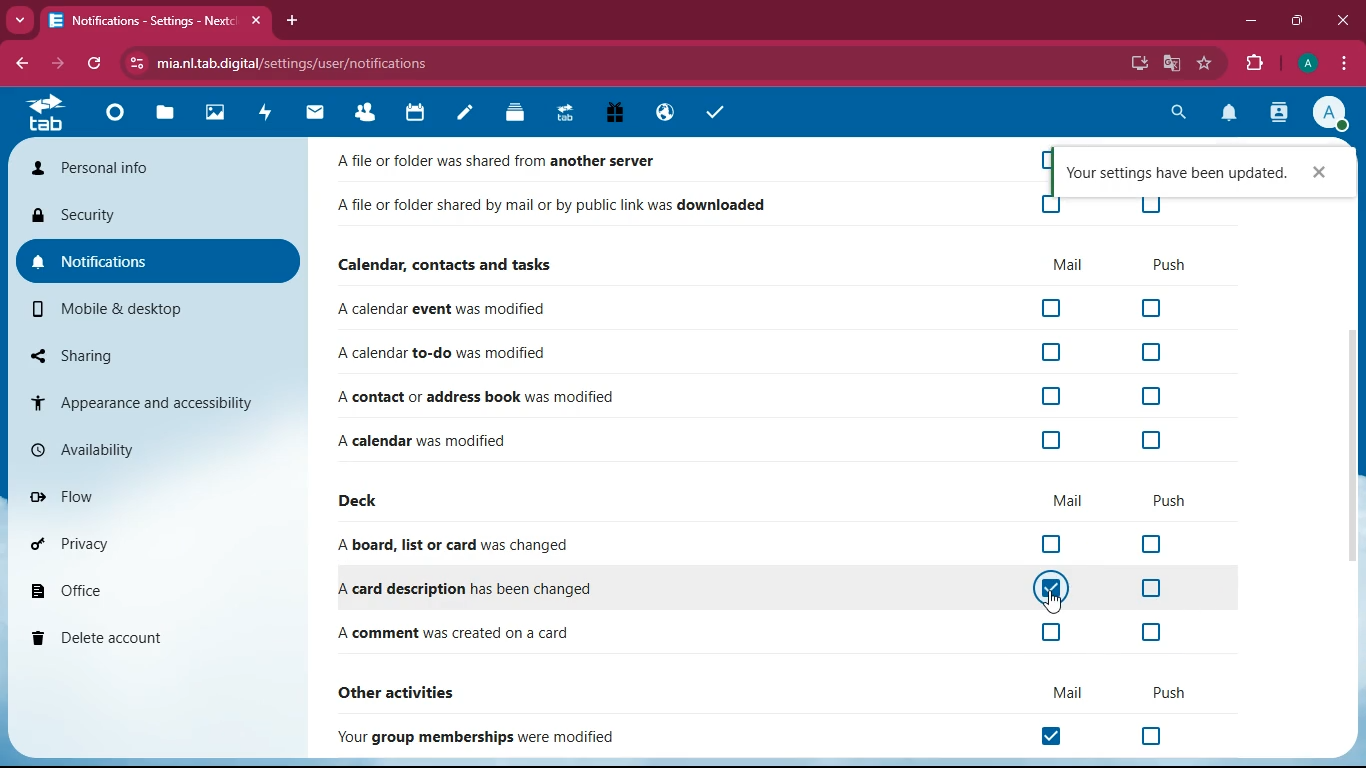 This screenshot has width=1366, height=768. I want to click on security, so click(160, 219).